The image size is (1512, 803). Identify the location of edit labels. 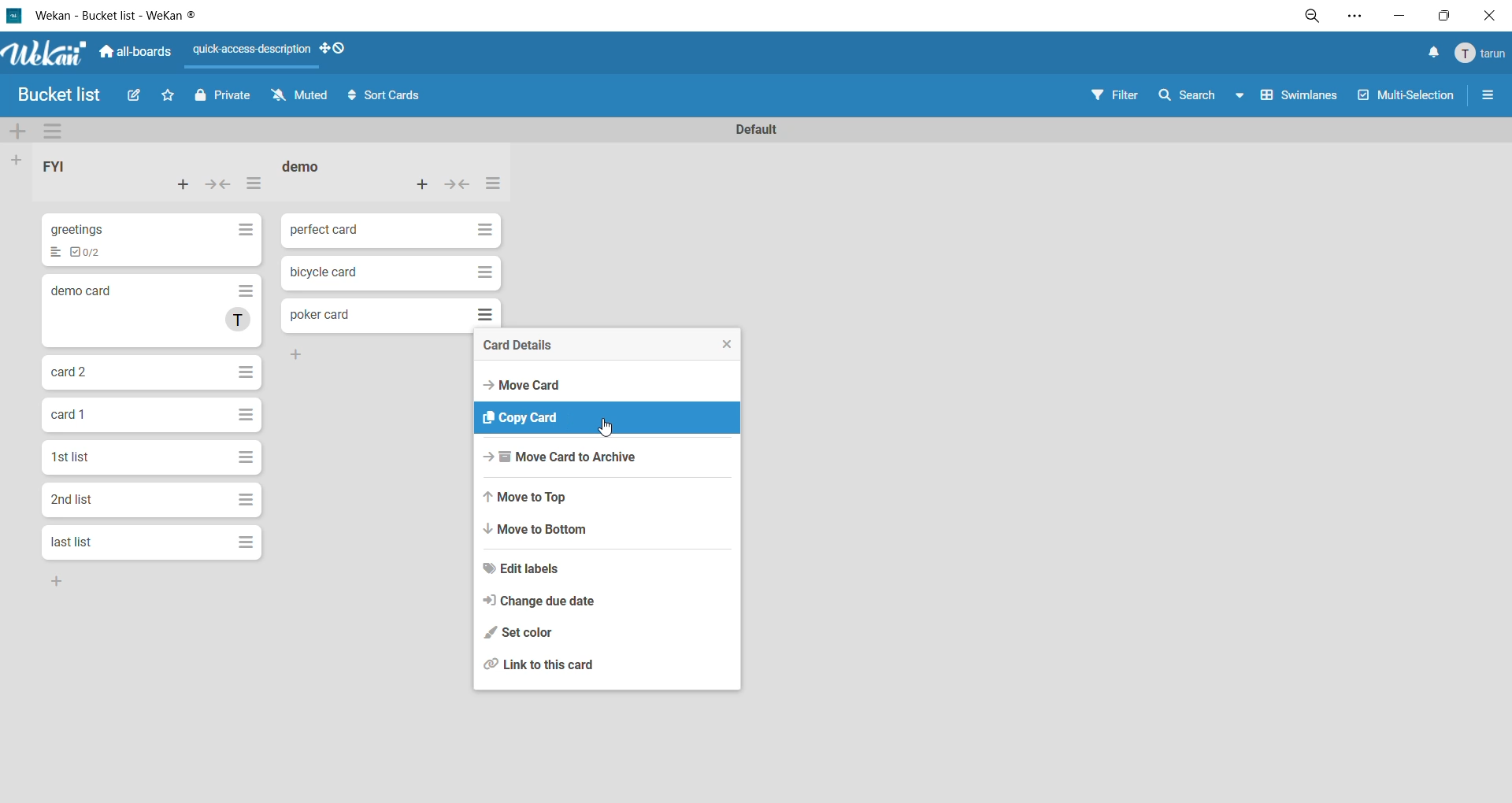
(524, 570).